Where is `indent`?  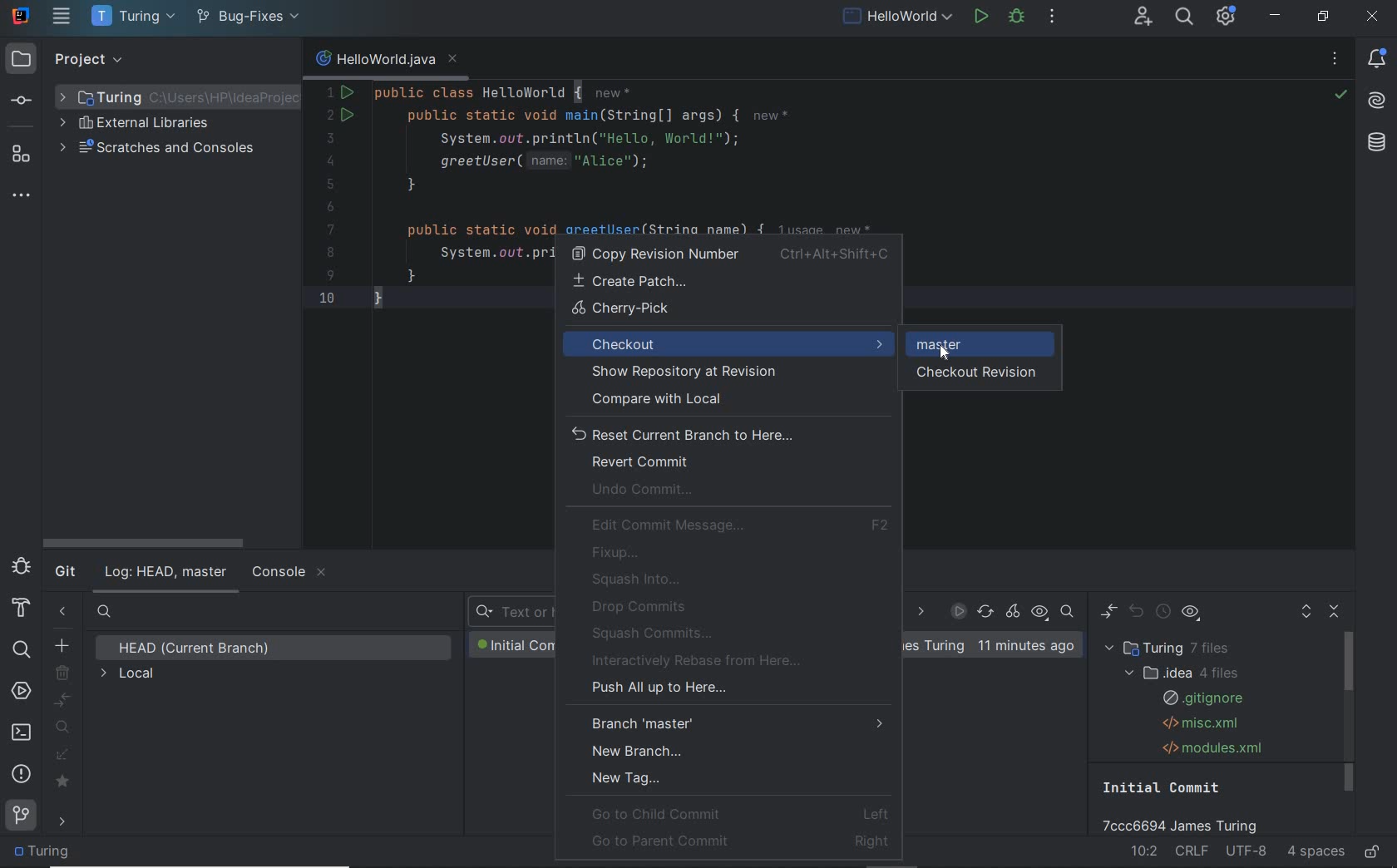
indent is located at coordinates (1316, 852).